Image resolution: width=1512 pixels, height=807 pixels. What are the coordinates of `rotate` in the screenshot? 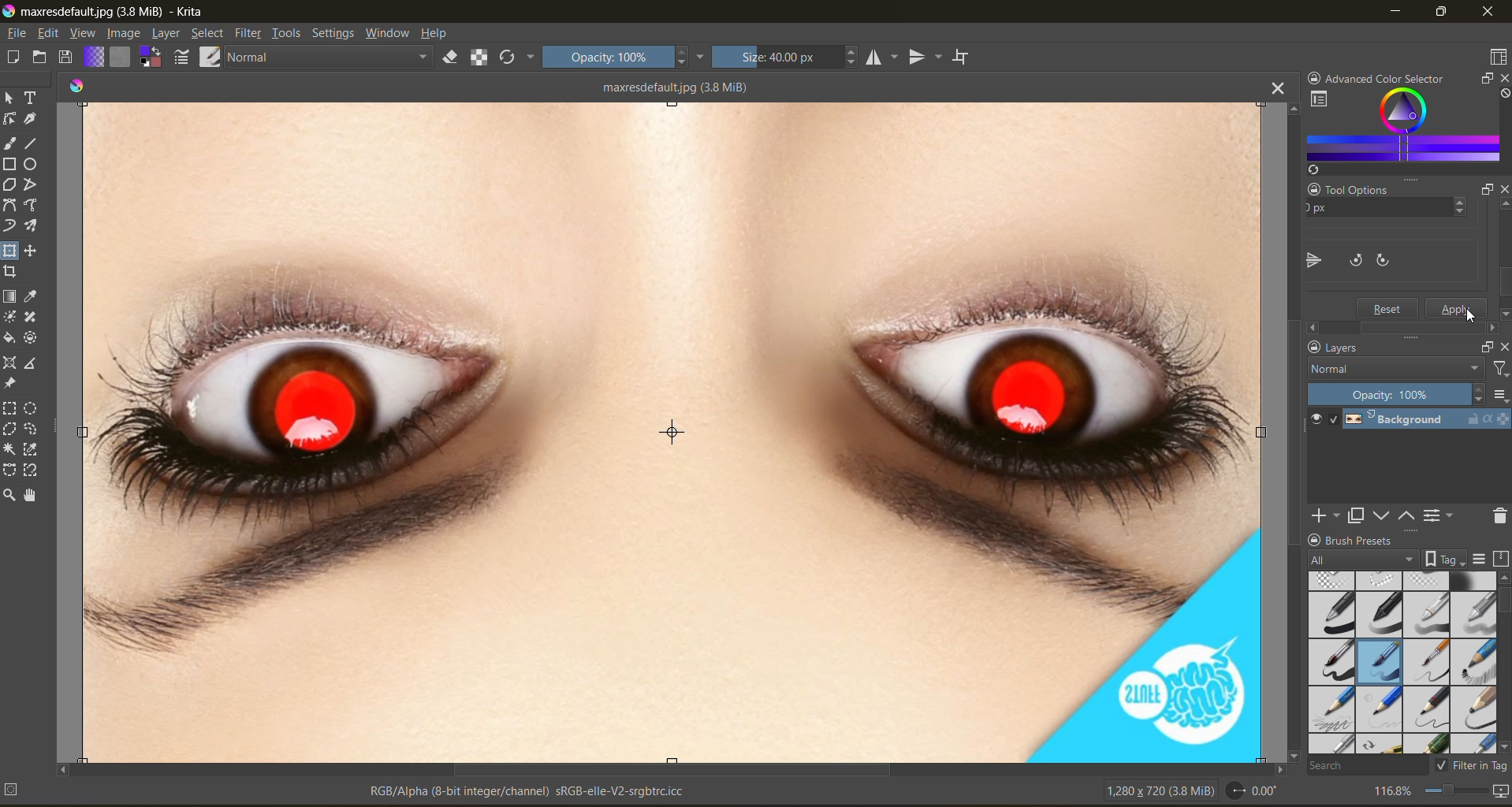 It's located at (1253, 791).